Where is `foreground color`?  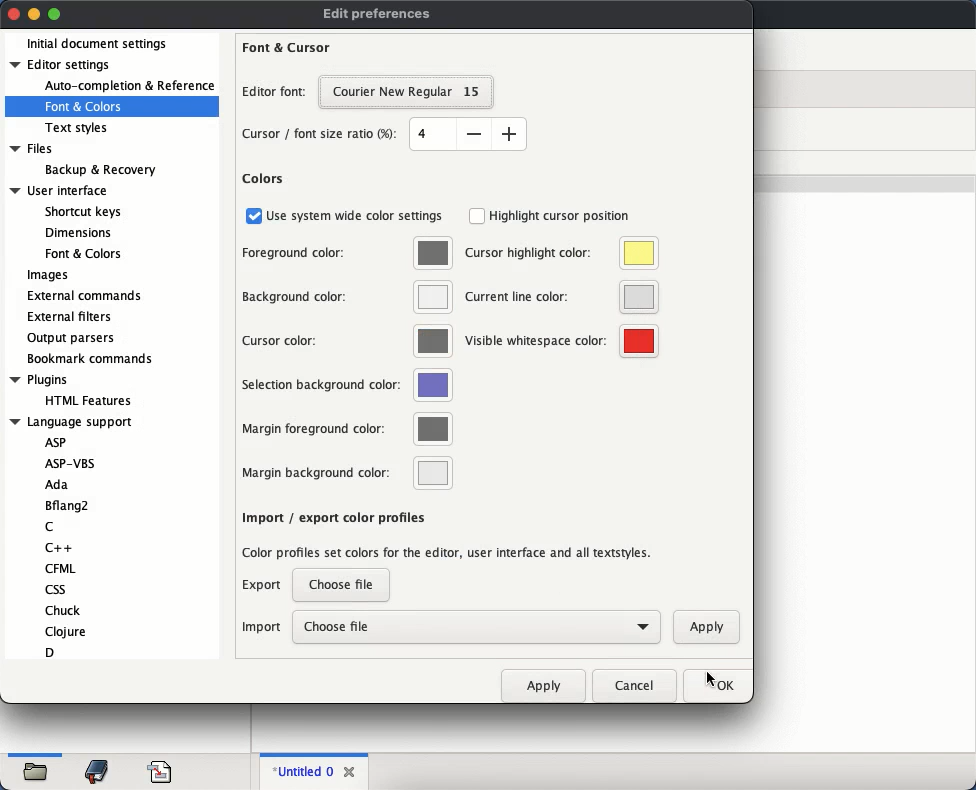 foreground color is located at coordinates (348, 252).